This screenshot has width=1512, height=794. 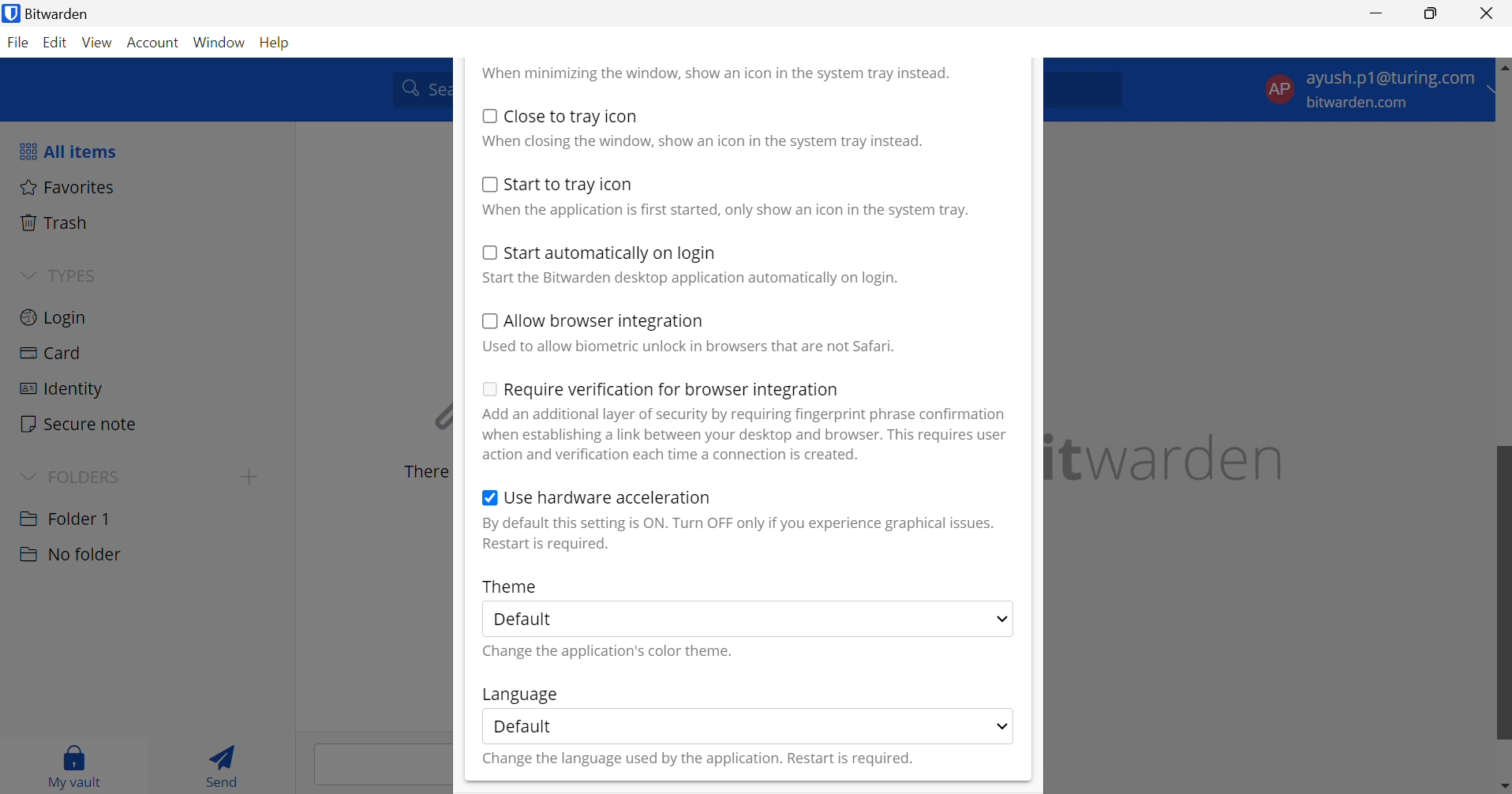 I want to click on Checkbox, so click(x=488, y=321).